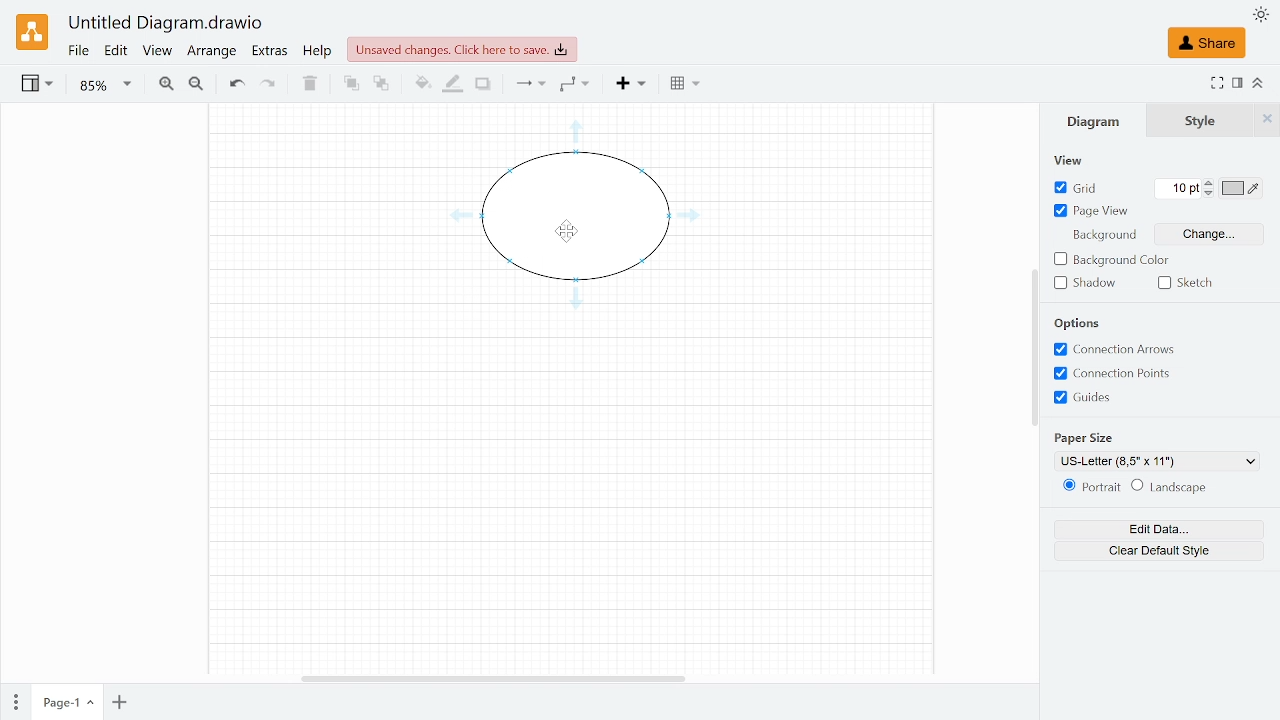  What do you see at coordinates (213, 52) in the screenshot?
I see `Arrange` at bounding box center [213, 52].